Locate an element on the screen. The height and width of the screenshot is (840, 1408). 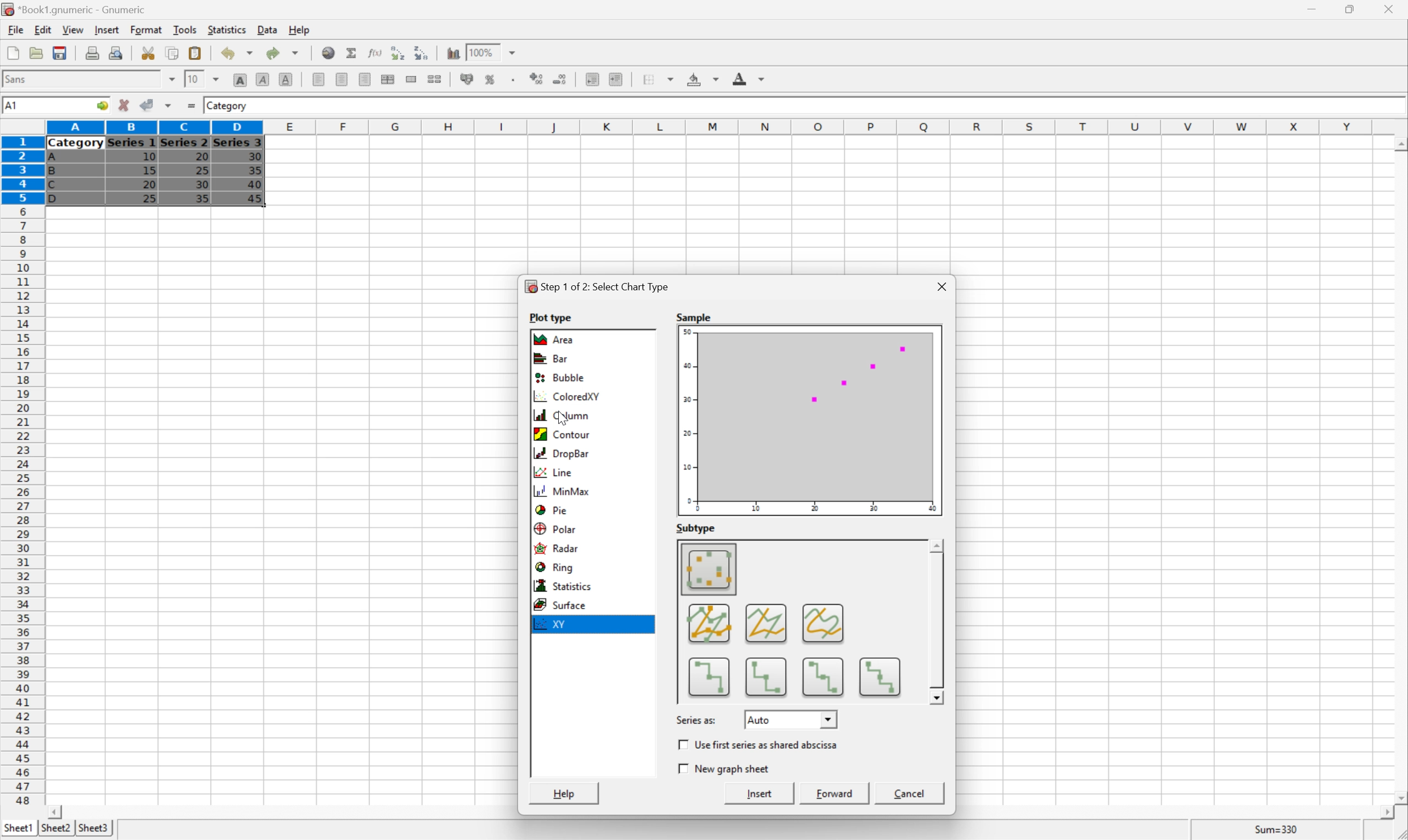
Sort the selected region in descending order based on the first column selected is located at coordinates (420, 52).